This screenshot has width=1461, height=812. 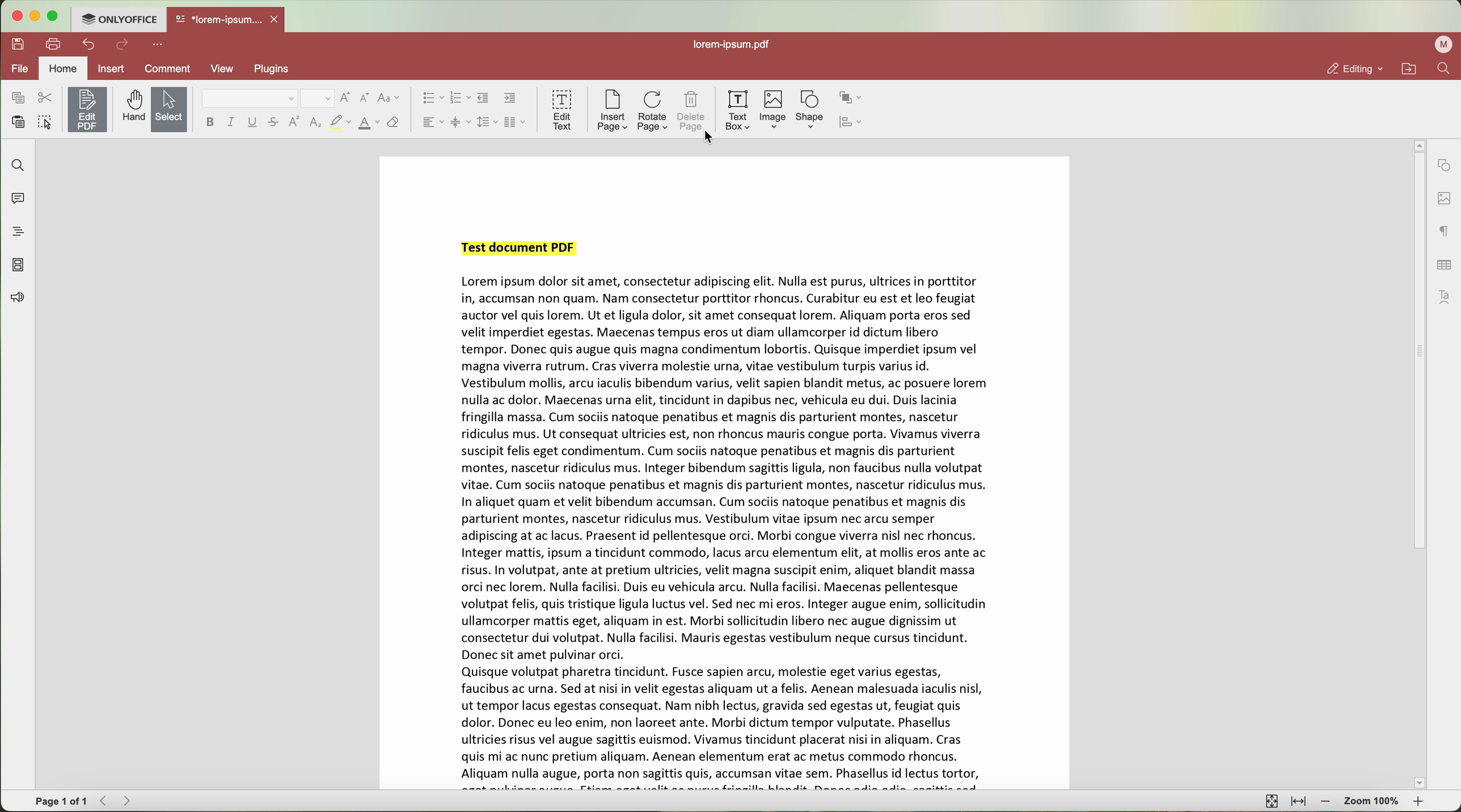 What do you see at coordinates (16, 266) in the screenshot?
I see `page thumbnails` at bounding box center [16, 266].